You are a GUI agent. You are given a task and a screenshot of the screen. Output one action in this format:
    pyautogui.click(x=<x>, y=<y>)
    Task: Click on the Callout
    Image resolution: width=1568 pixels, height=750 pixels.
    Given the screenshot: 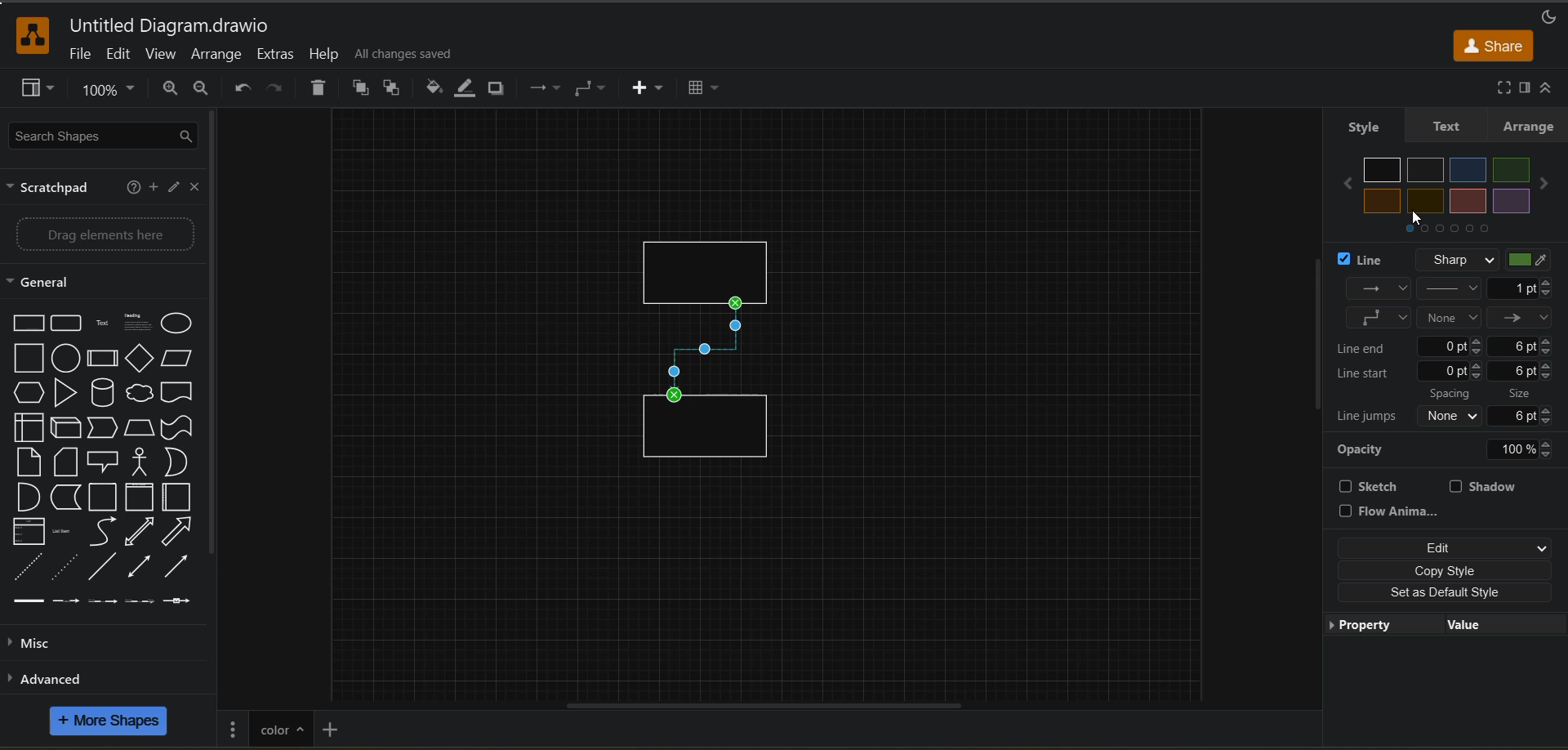 What is the action you would take?
    pyautogui.click(x=108, y=461)
    